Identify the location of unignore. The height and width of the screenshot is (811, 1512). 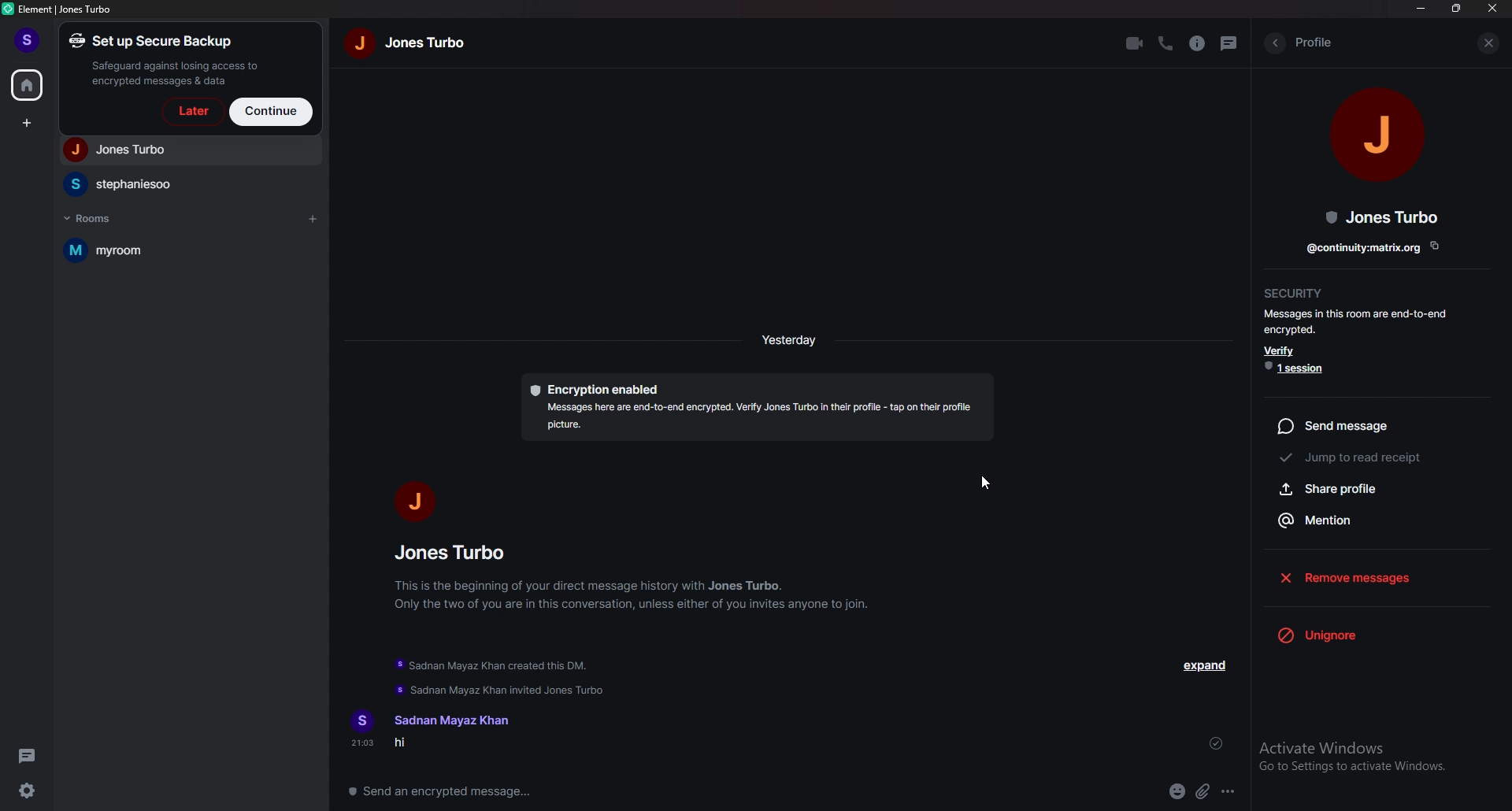
(1373, 633).